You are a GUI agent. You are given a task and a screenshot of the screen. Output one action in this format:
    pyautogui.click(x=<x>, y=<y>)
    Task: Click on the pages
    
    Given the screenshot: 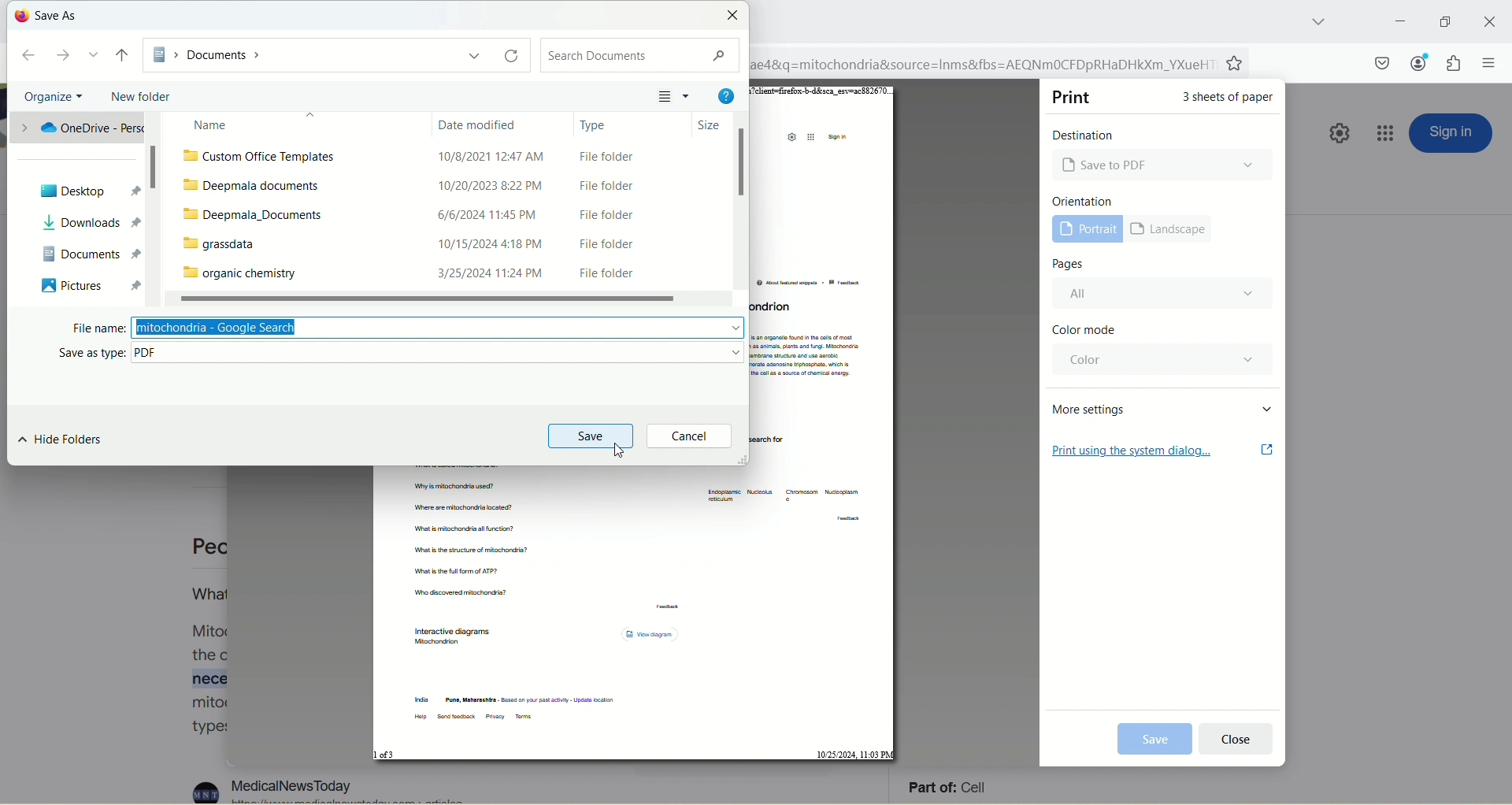 What is the action you would take?
    pyautogui.click(x=1069, y=263)
    